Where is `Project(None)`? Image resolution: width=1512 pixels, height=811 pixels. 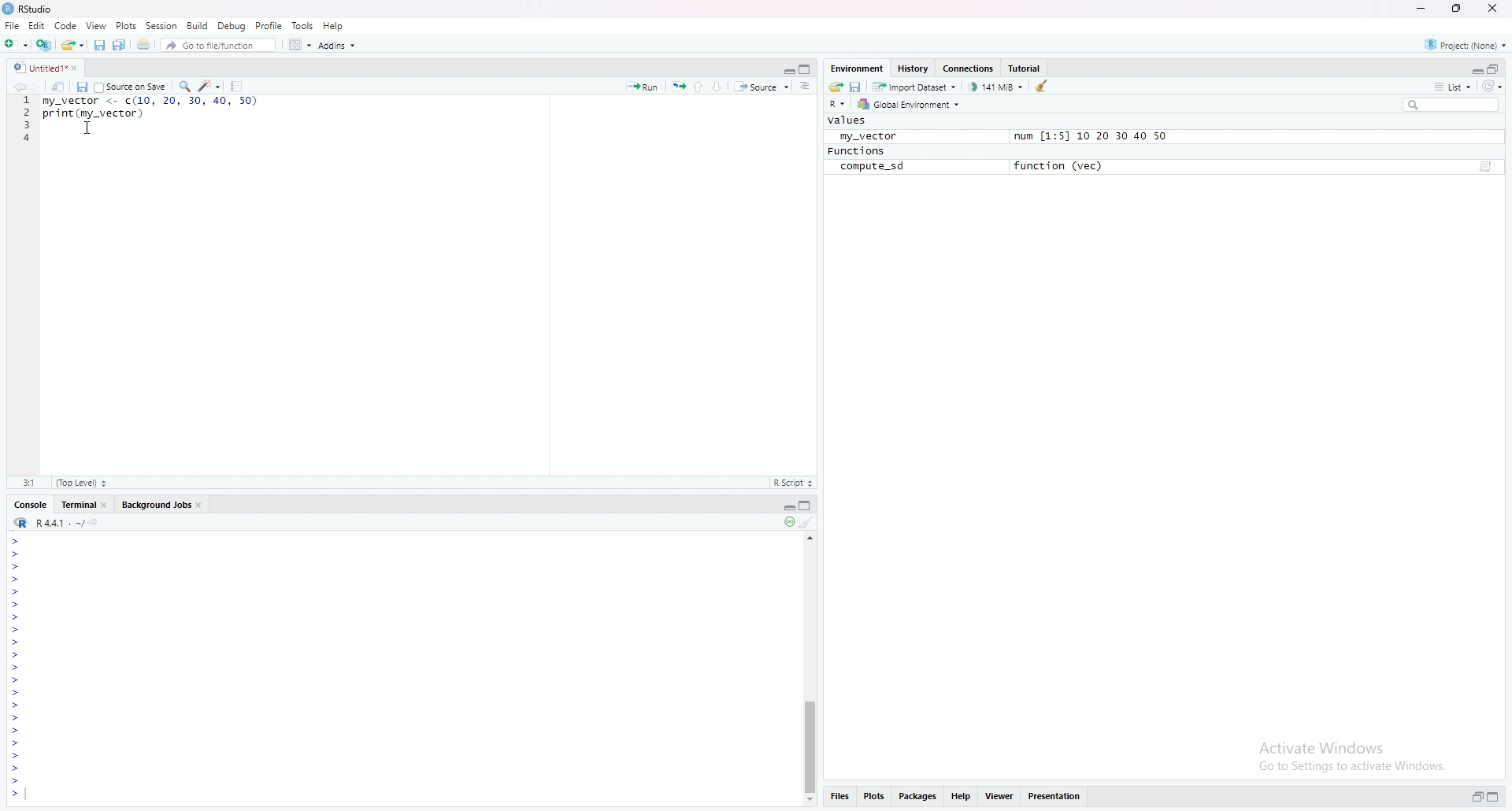 Project(None) is located at coordinates (1465, 43).